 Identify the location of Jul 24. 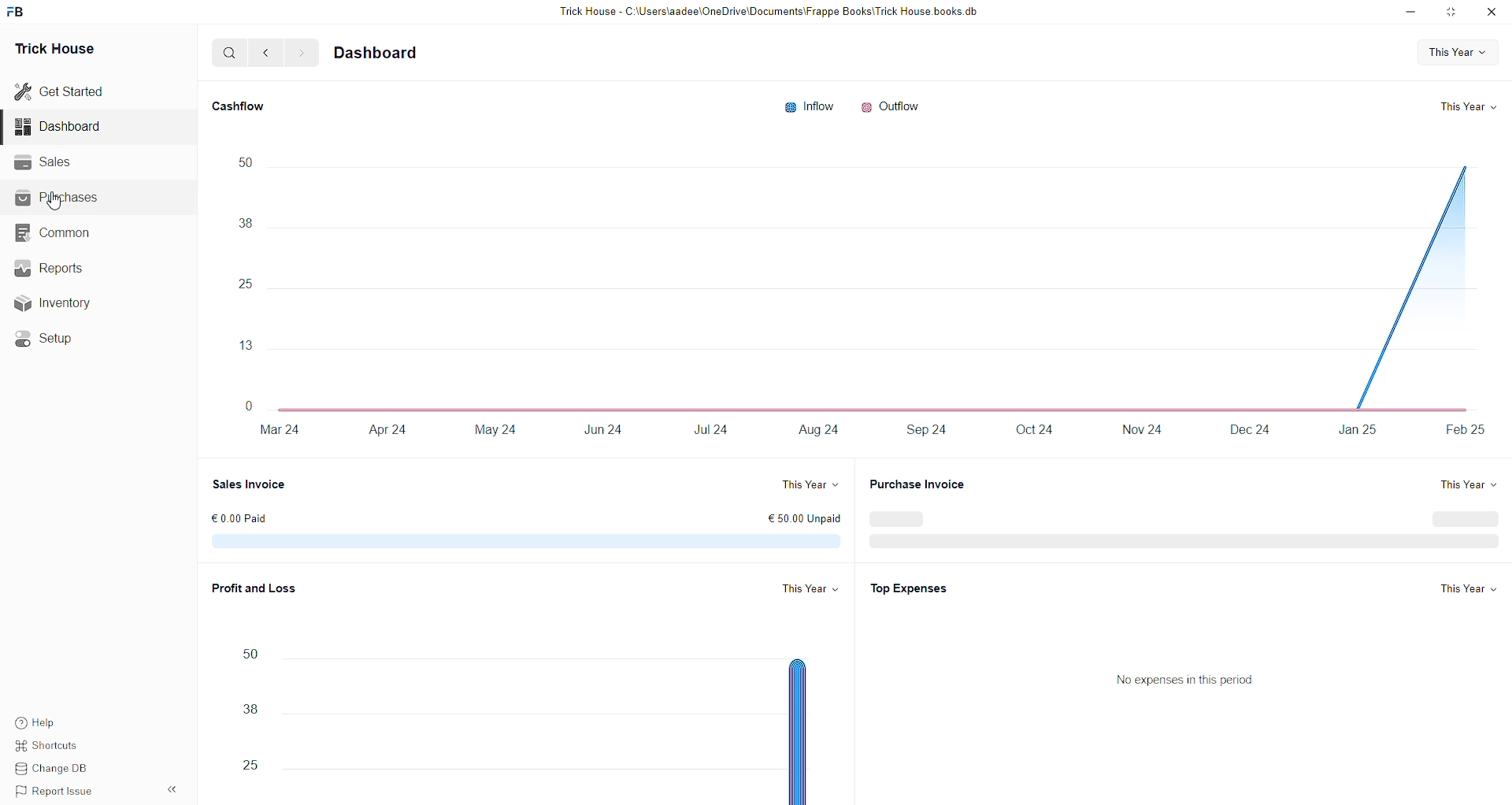
(717, 429).